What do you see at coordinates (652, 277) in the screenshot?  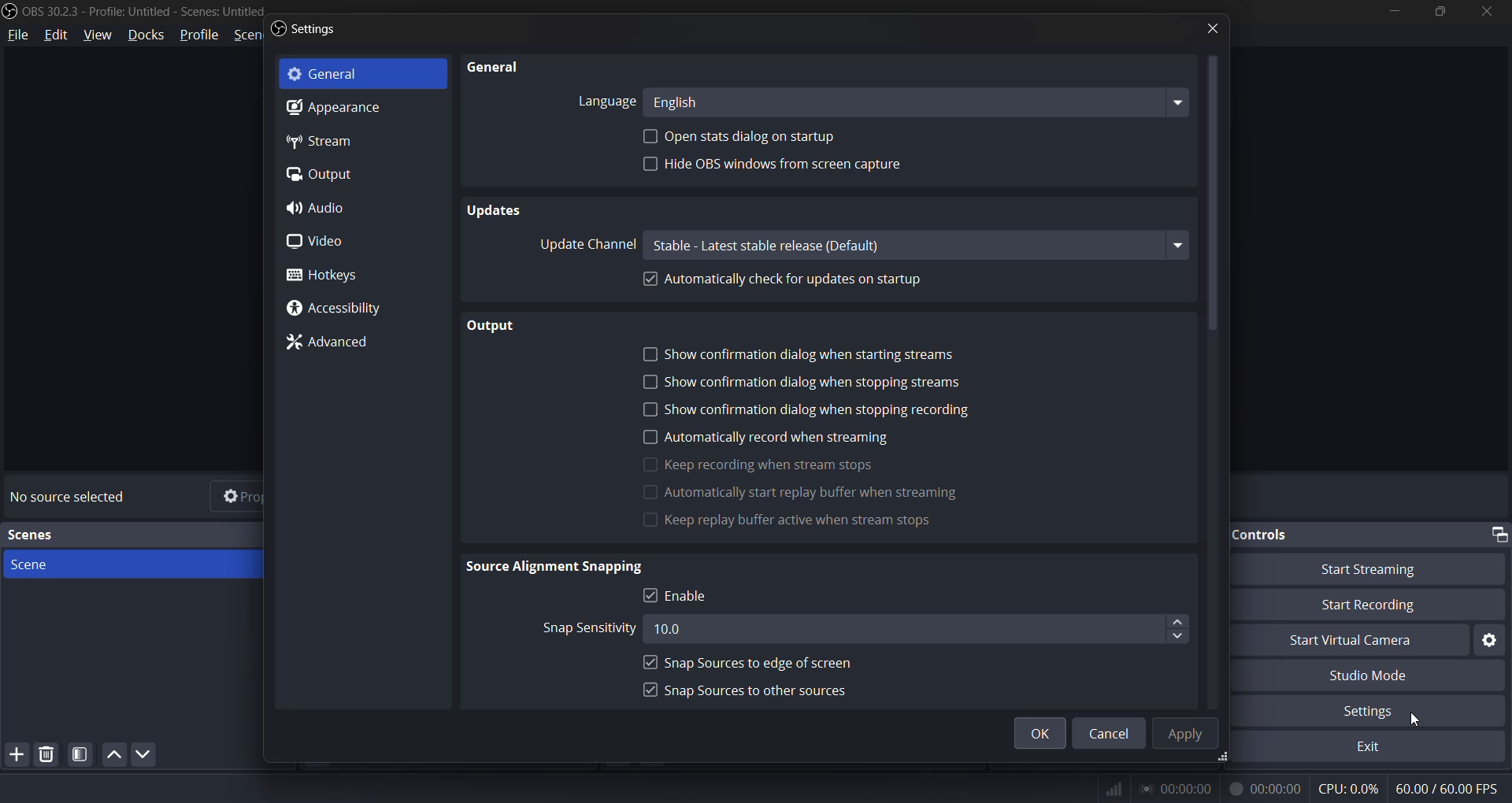 I see `checkbox` at bounding box center [652, 277].